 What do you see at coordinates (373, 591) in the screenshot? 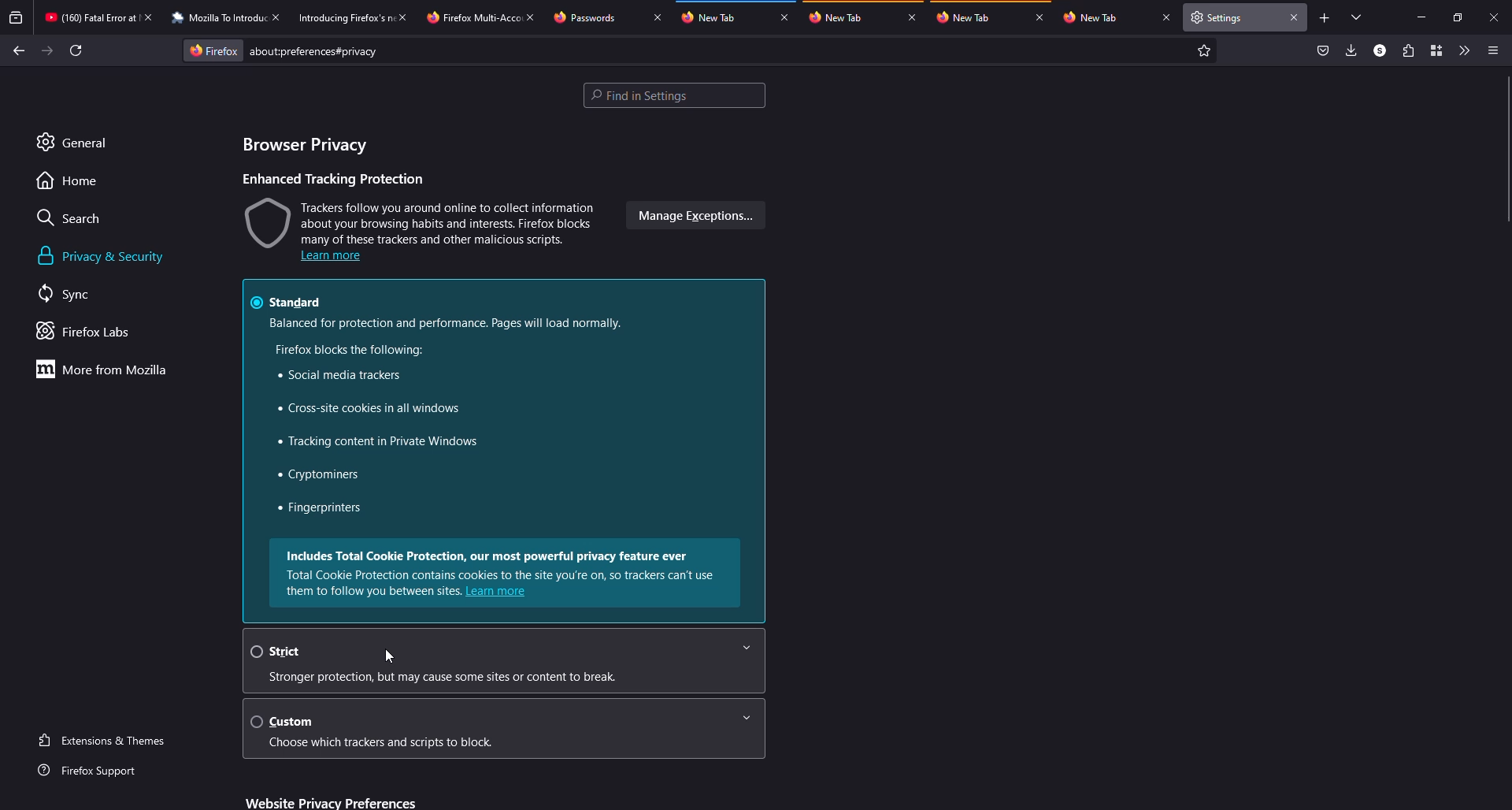
I see `info` at bounding box center [373, 591].